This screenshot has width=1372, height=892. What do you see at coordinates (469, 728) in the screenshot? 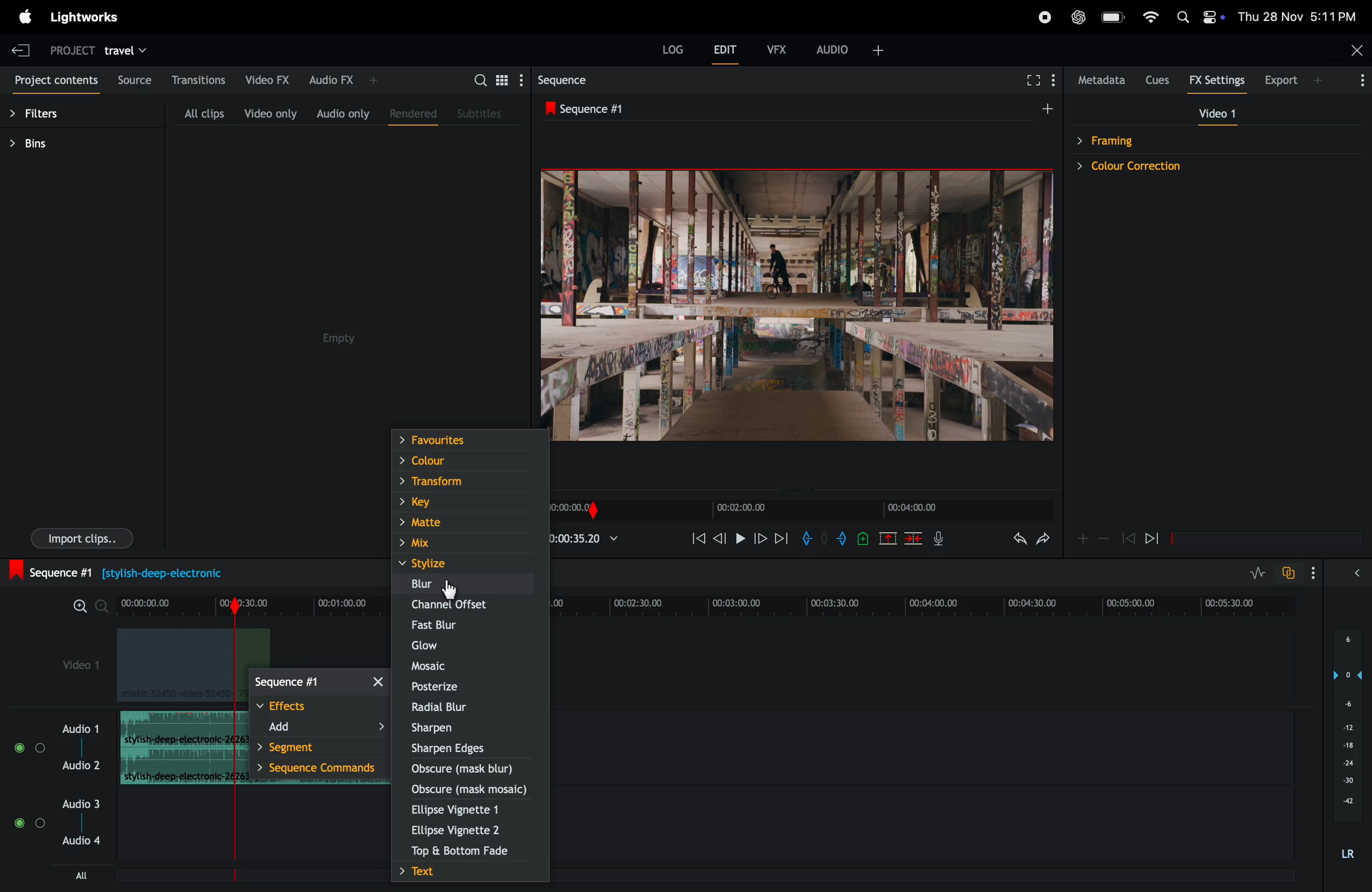
I see `sharpen` at bounding box center [469, 728].